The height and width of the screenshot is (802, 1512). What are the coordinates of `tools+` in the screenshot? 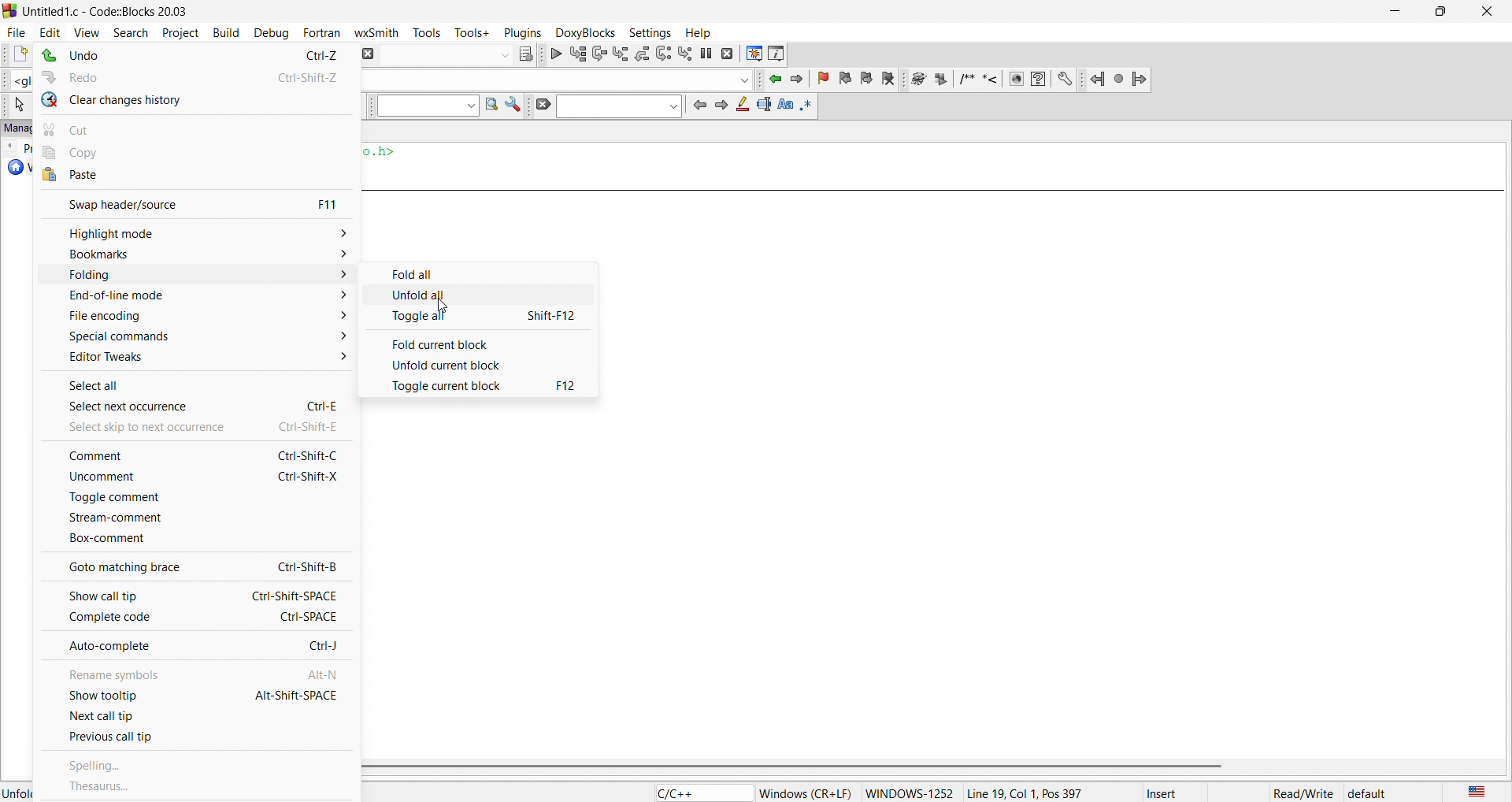 It's located at (472, 32).